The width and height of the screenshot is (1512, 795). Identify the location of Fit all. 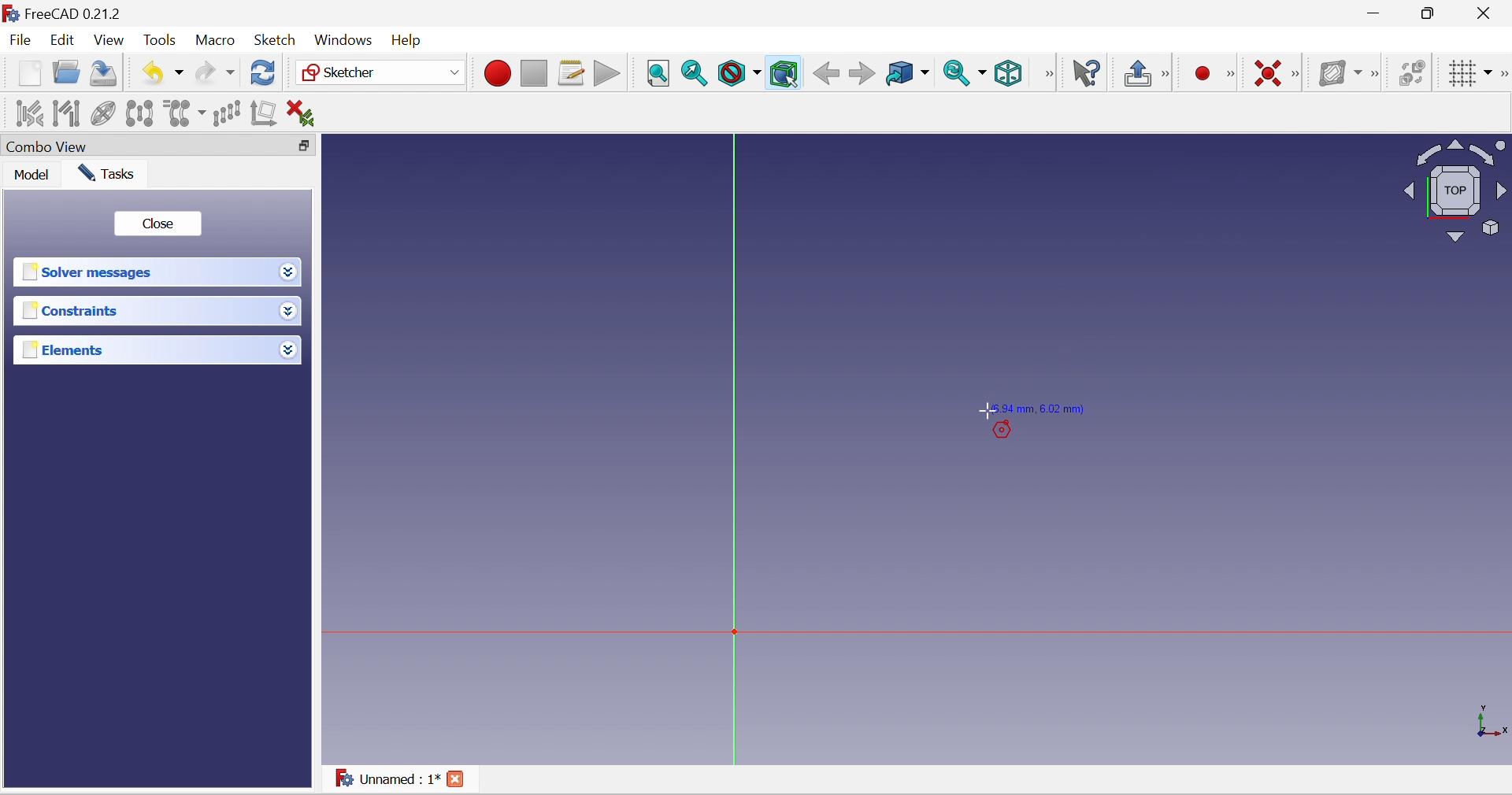
(659, 75).